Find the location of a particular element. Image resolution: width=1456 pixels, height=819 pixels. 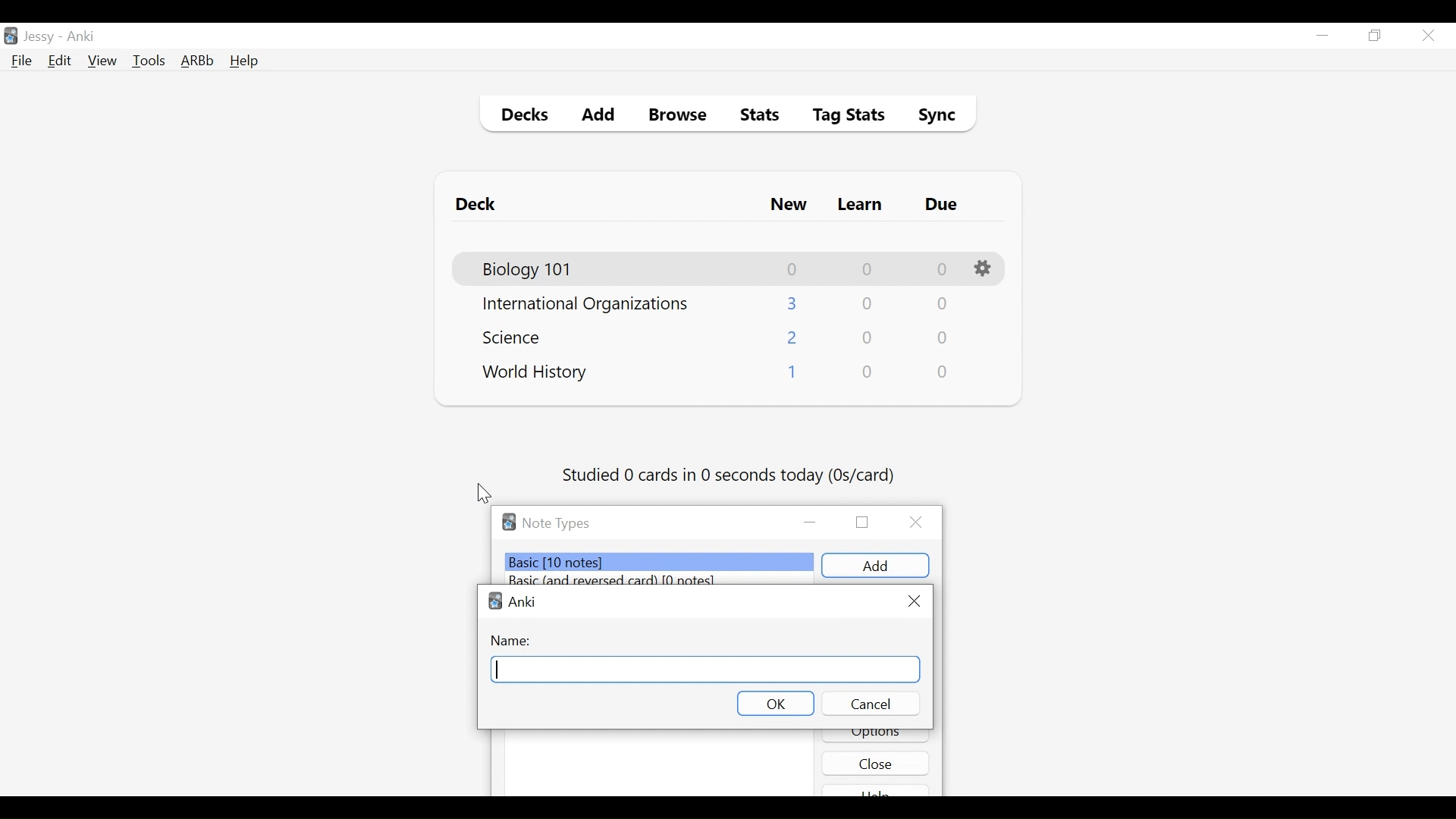

Anki is located at coordinates (81, 36).